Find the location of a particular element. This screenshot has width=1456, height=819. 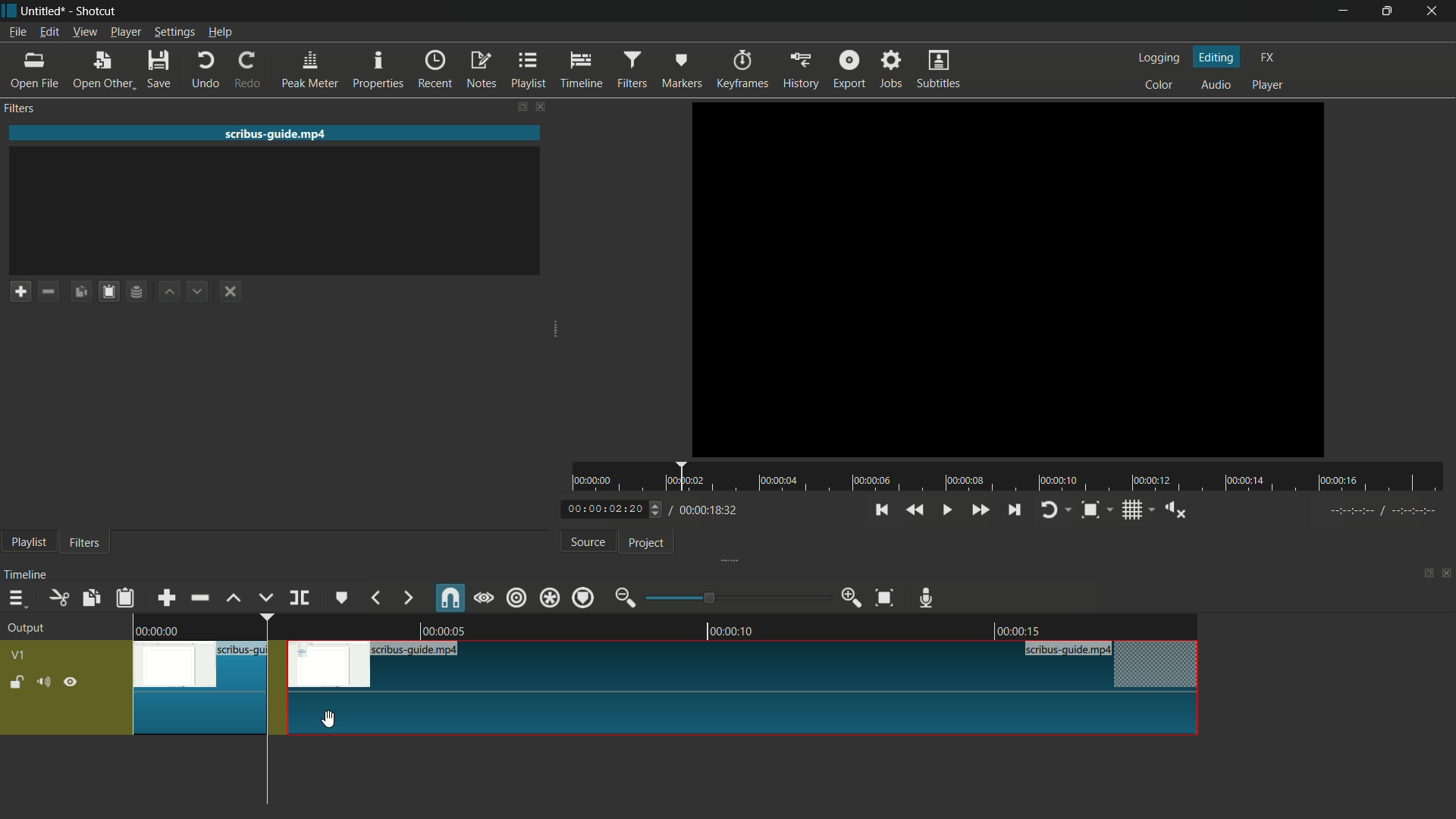

lock is located at coordinates (16, 683).